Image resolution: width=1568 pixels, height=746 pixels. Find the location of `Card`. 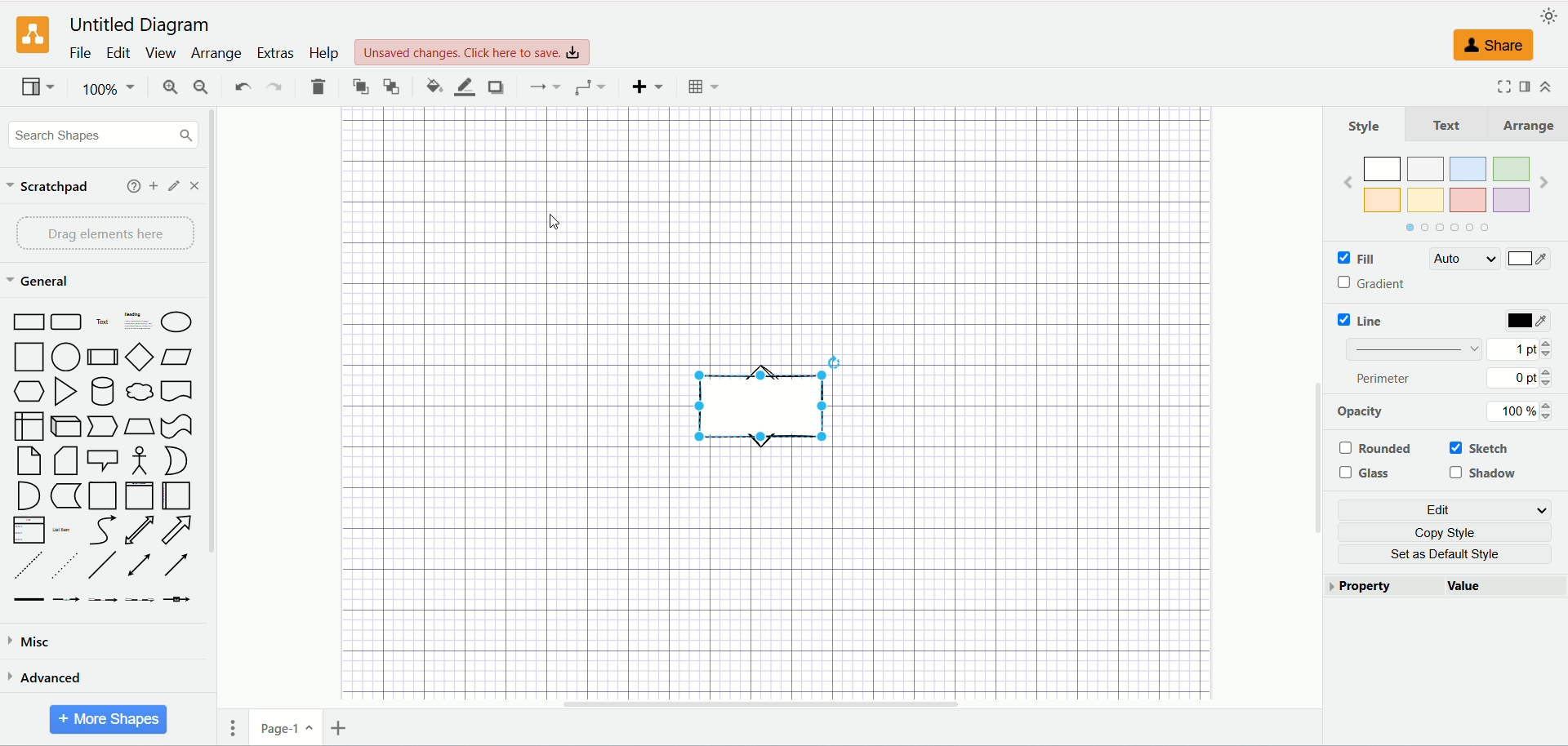

Card is located at coordinates (68, 461).